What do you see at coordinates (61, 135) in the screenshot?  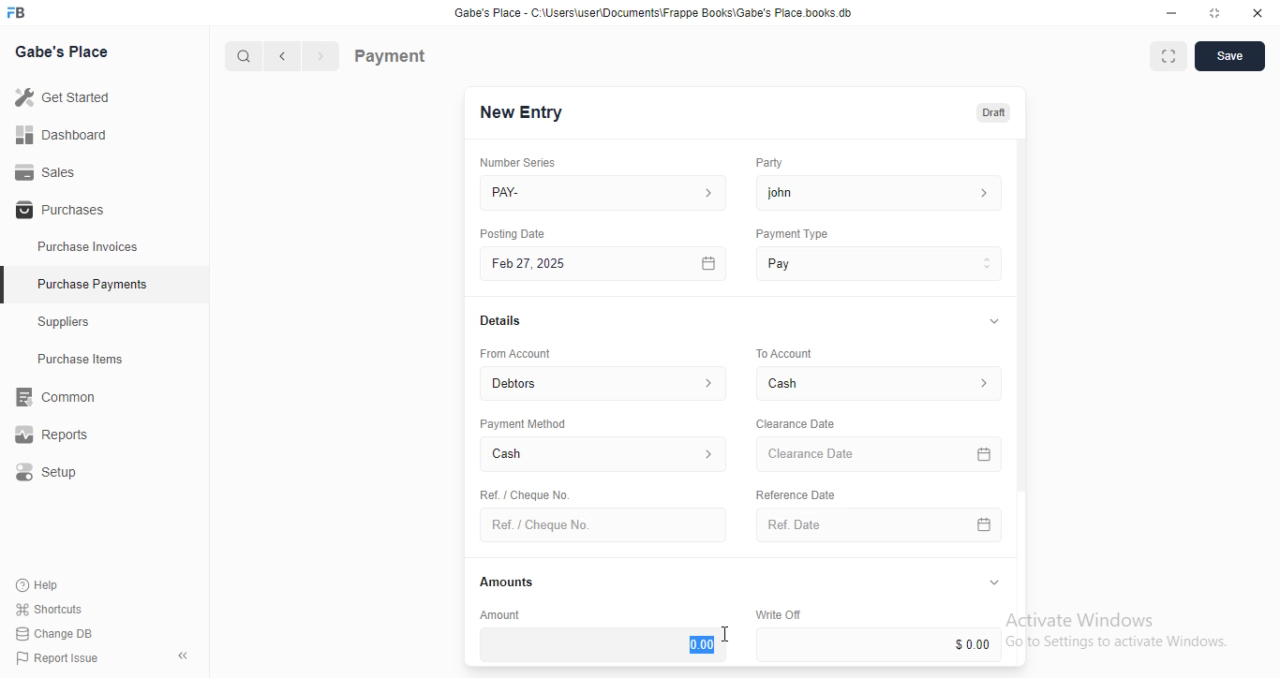 I see `Dashboard` at bounding box center [61, 135].